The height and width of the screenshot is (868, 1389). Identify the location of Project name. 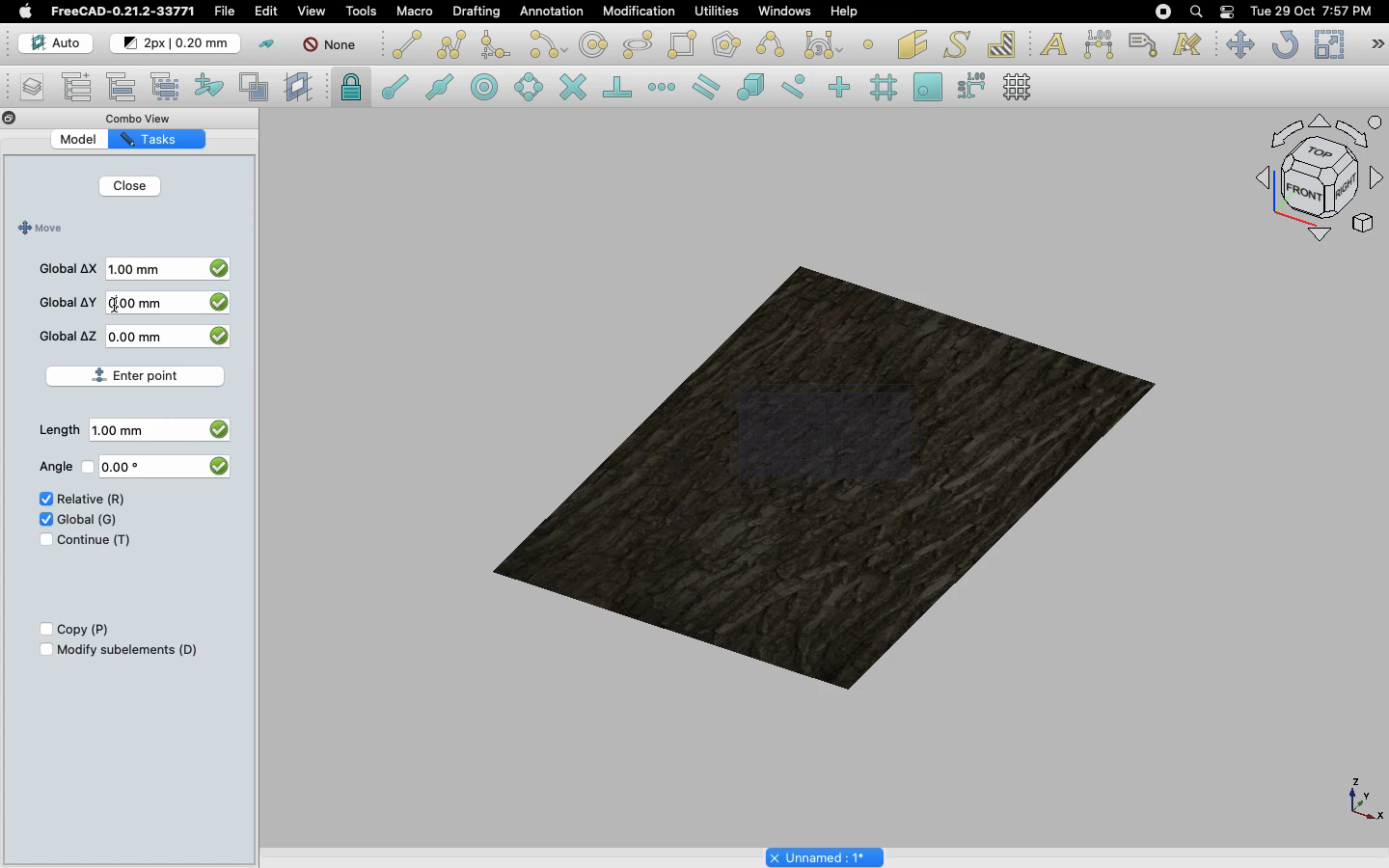
(827, 855).